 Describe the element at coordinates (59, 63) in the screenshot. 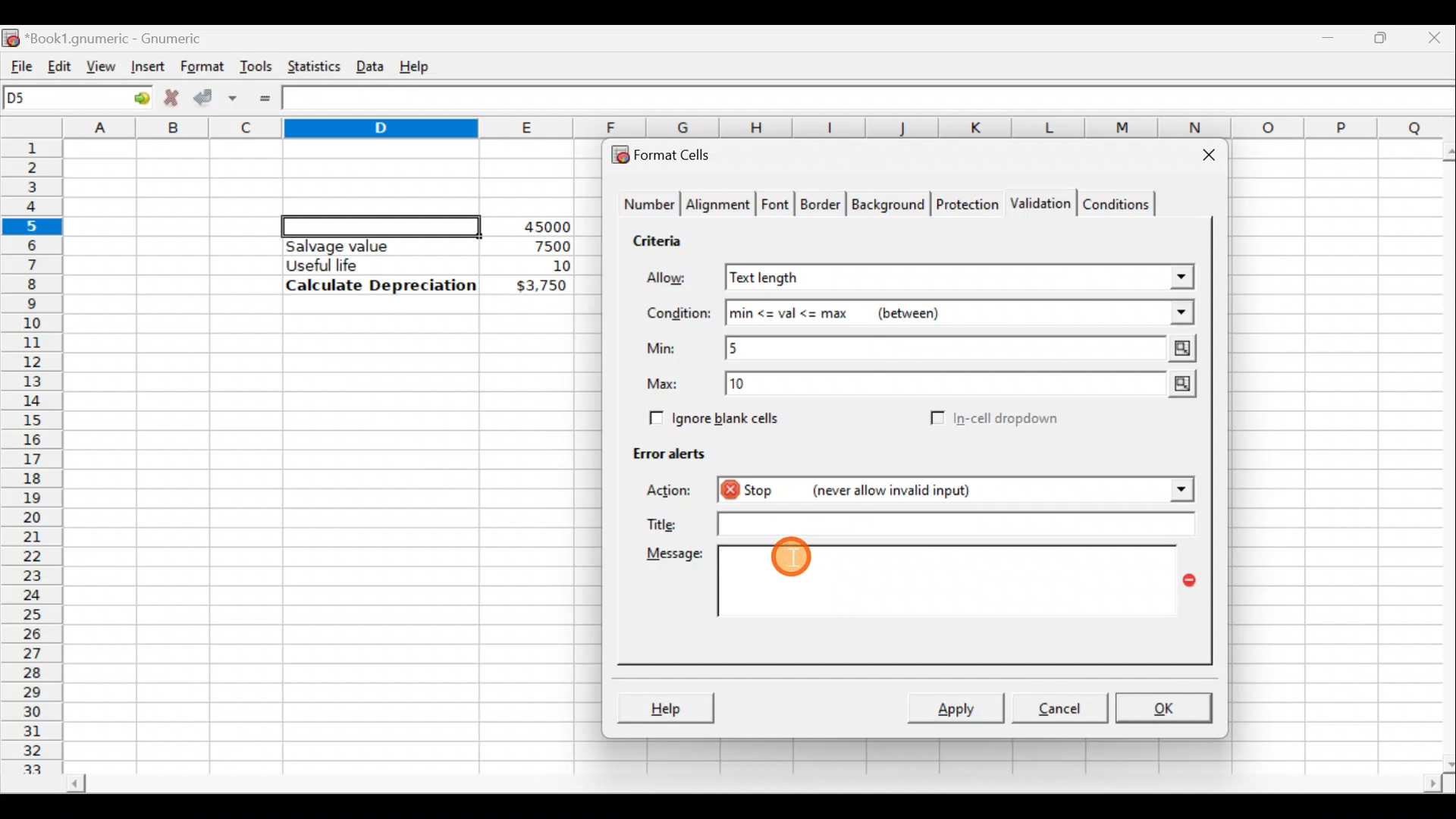

I see `Edit` at that location.